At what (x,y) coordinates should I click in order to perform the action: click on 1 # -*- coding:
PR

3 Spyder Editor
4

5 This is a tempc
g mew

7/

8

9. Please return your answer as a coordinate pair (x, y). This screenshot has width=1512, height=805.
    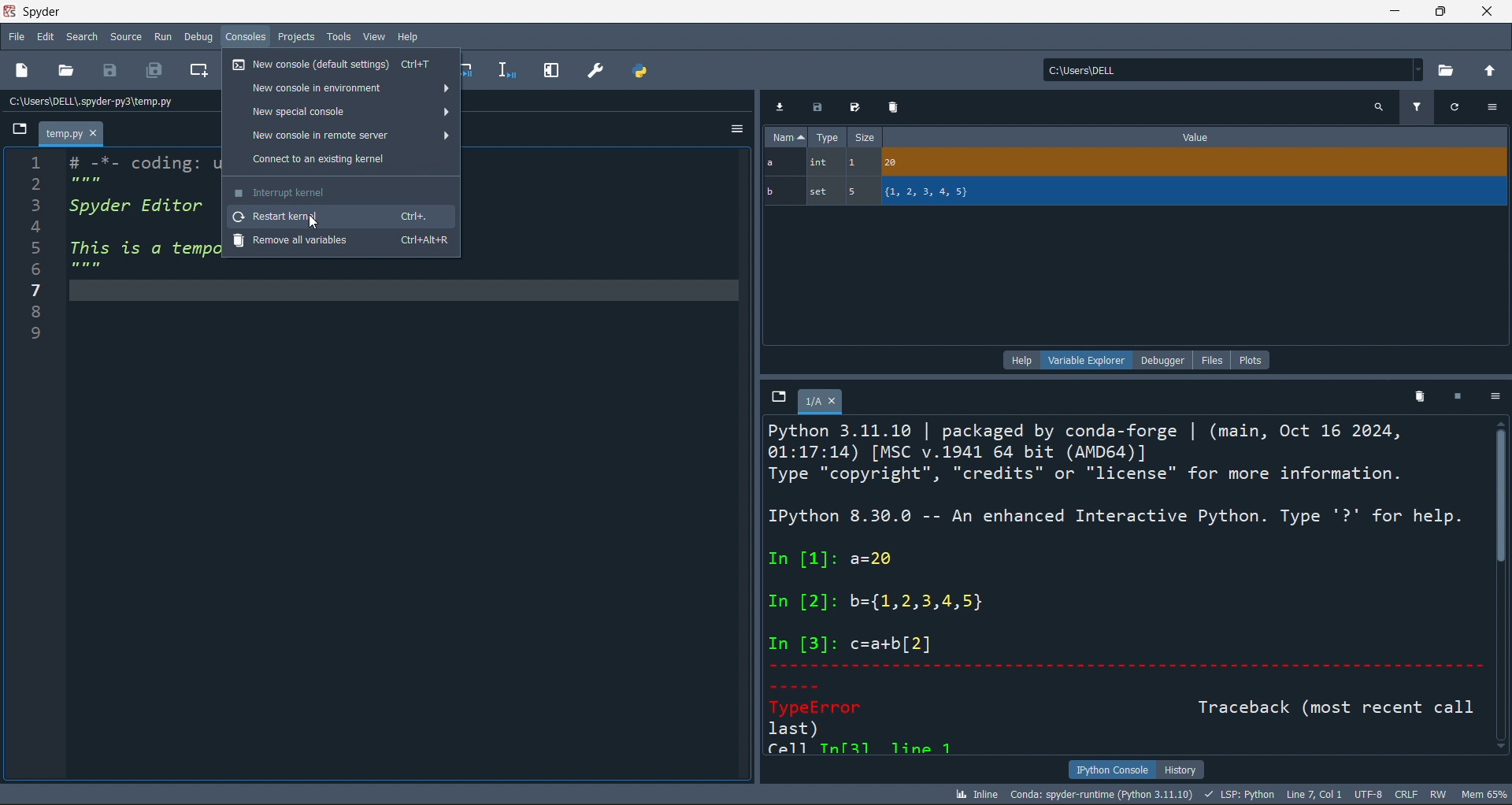
    Looking at the image, I should click on (114, 265).